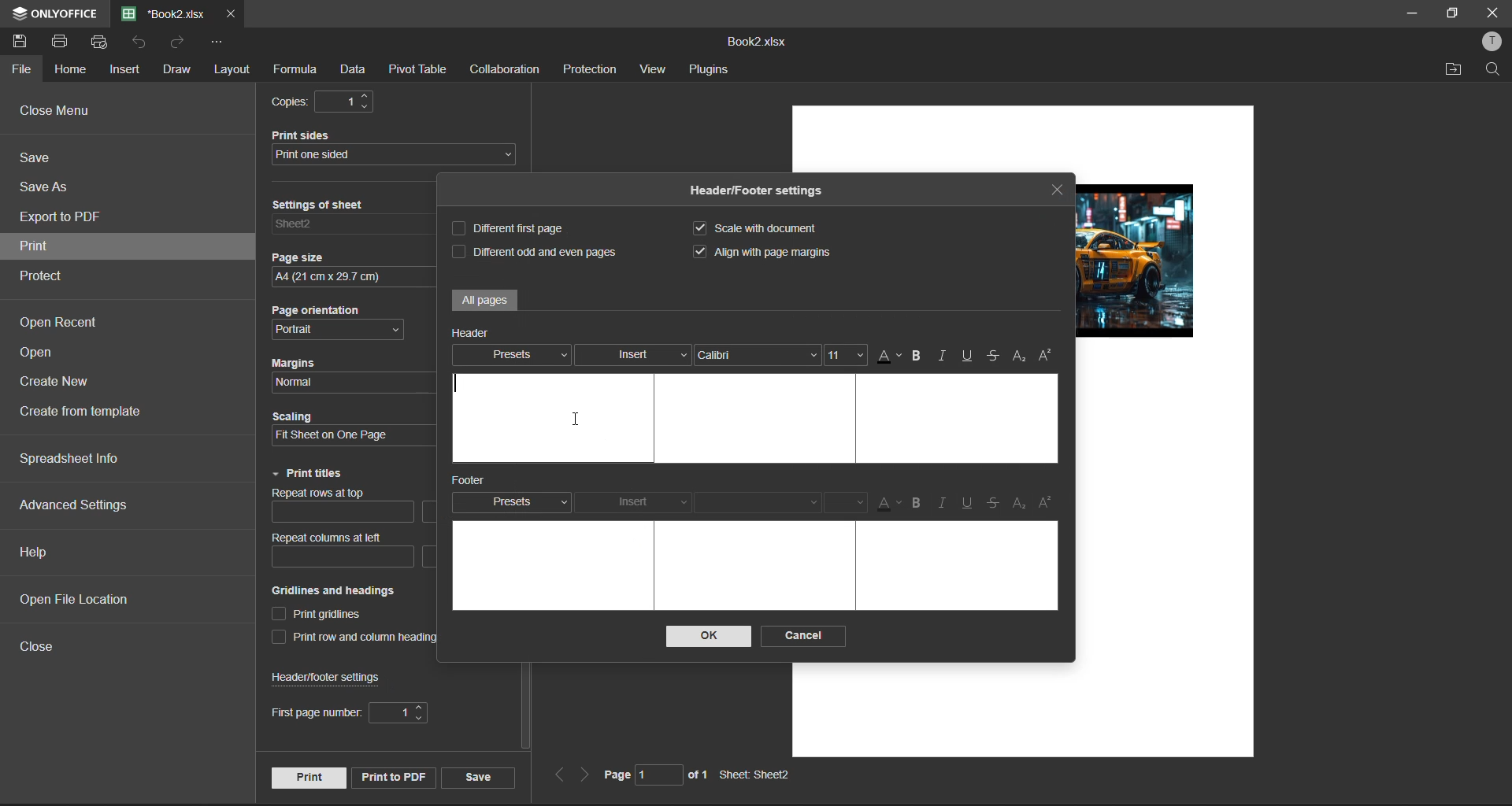 This screenshot has width=1512, height=806. What do you see at coordinates (39, 161) in the screenshot?
I see `save` at bounding box center [39, 161].